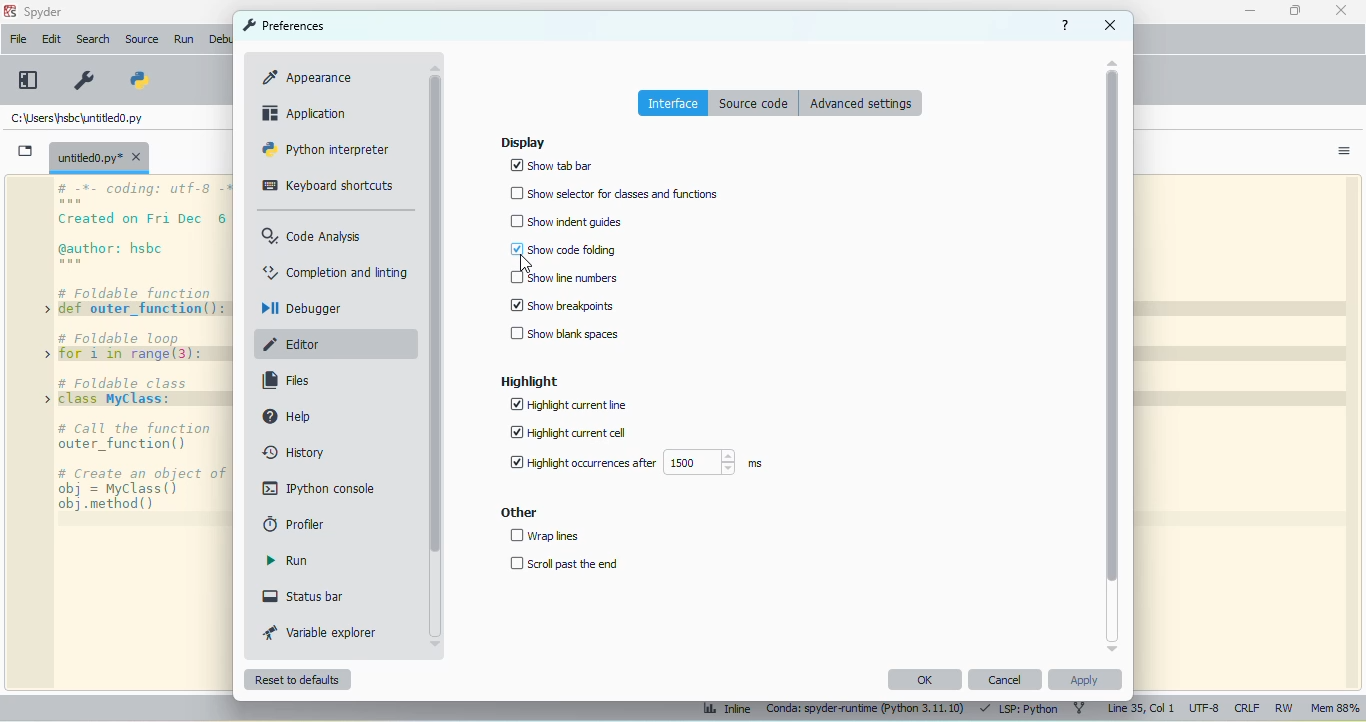 This screenshot has width=1366, height=722. What do you see at coordinates (551, 165) in the screenshot?
I see `show tab bar` at bounding box center [551, 165].